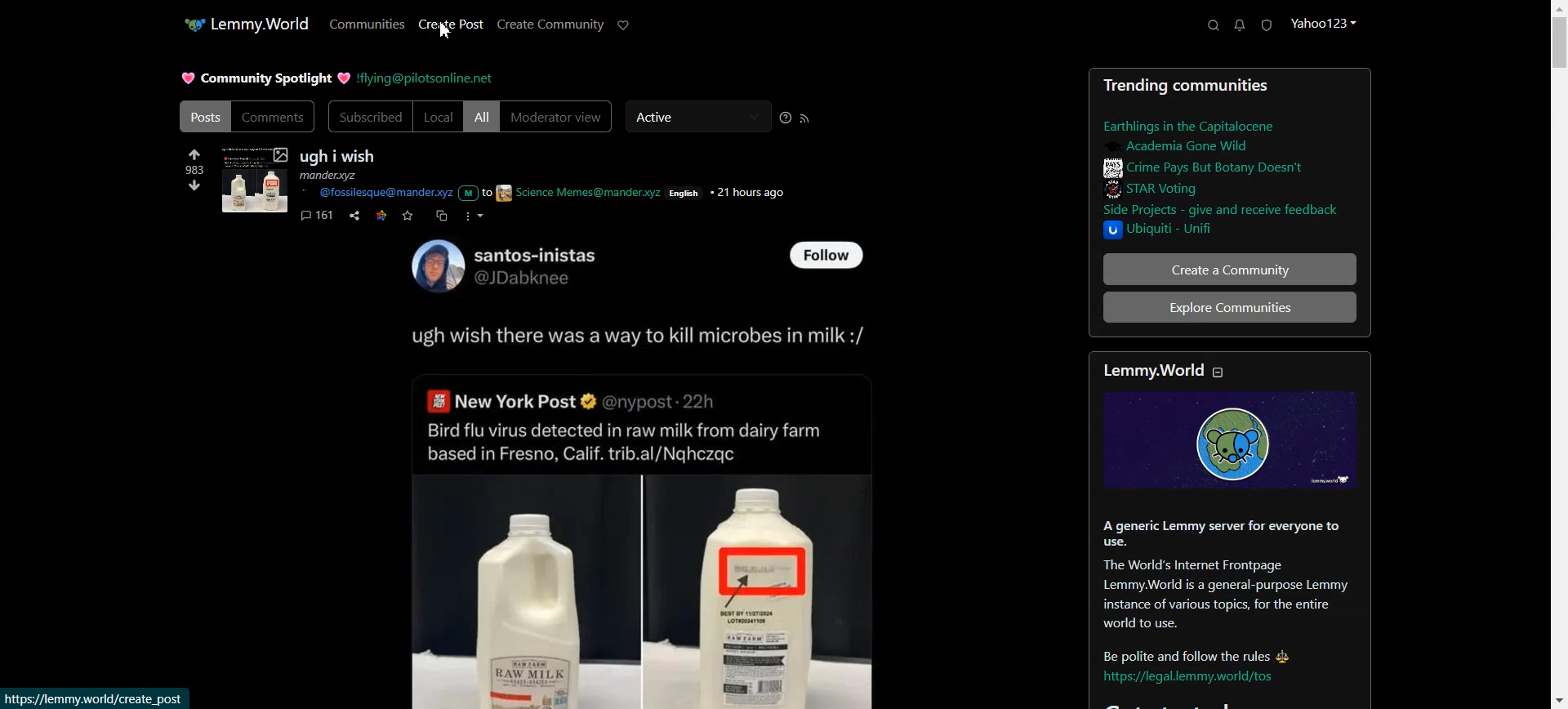 The image size is (1568, 709). What do you see at coordinates (682, 194) in the screenshot?
I see `English` at bounding box center [682, 194].